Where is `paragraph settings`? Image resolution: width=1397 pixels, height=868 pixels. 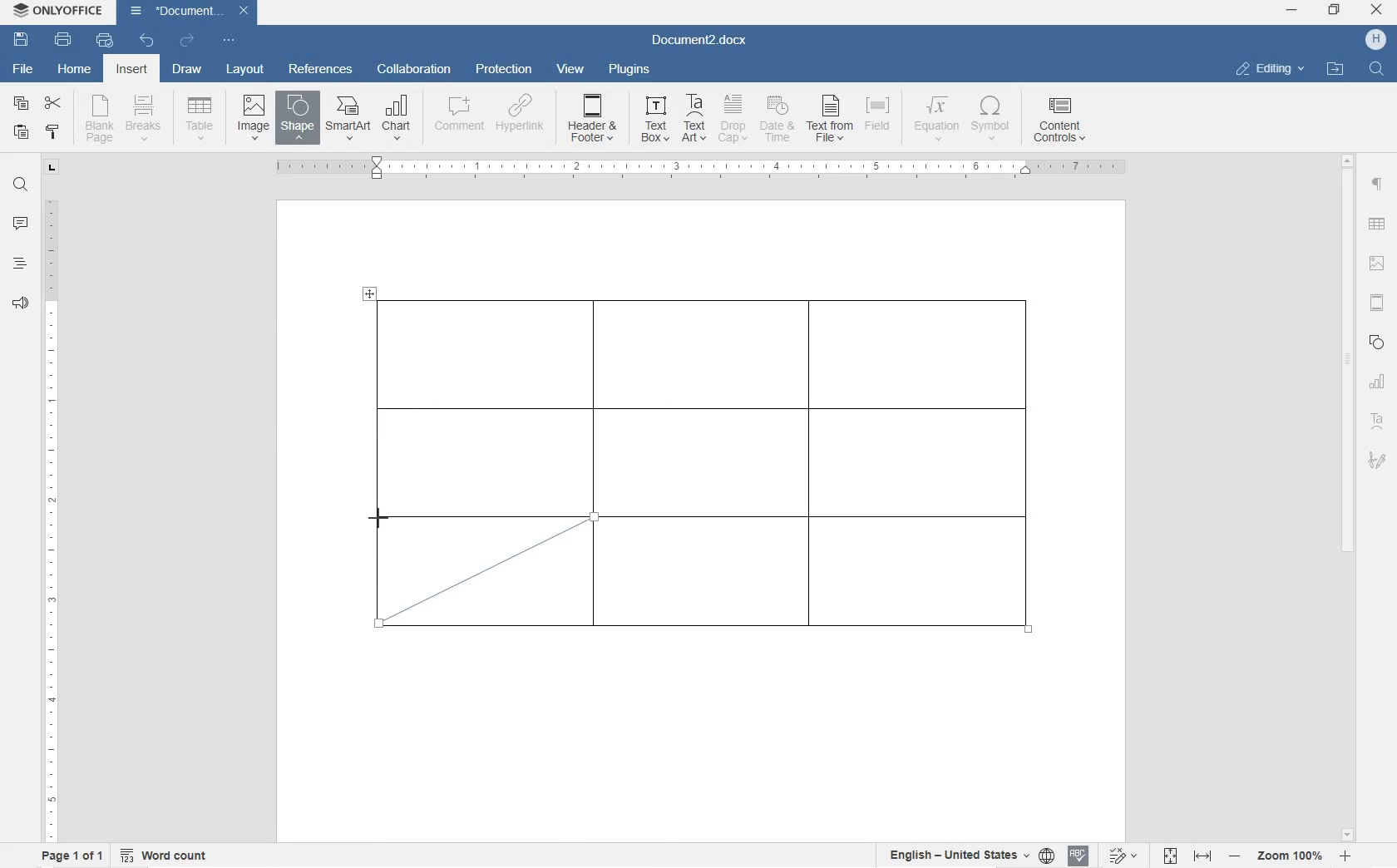
paragraph settings is located at coordinates (1378, 185).